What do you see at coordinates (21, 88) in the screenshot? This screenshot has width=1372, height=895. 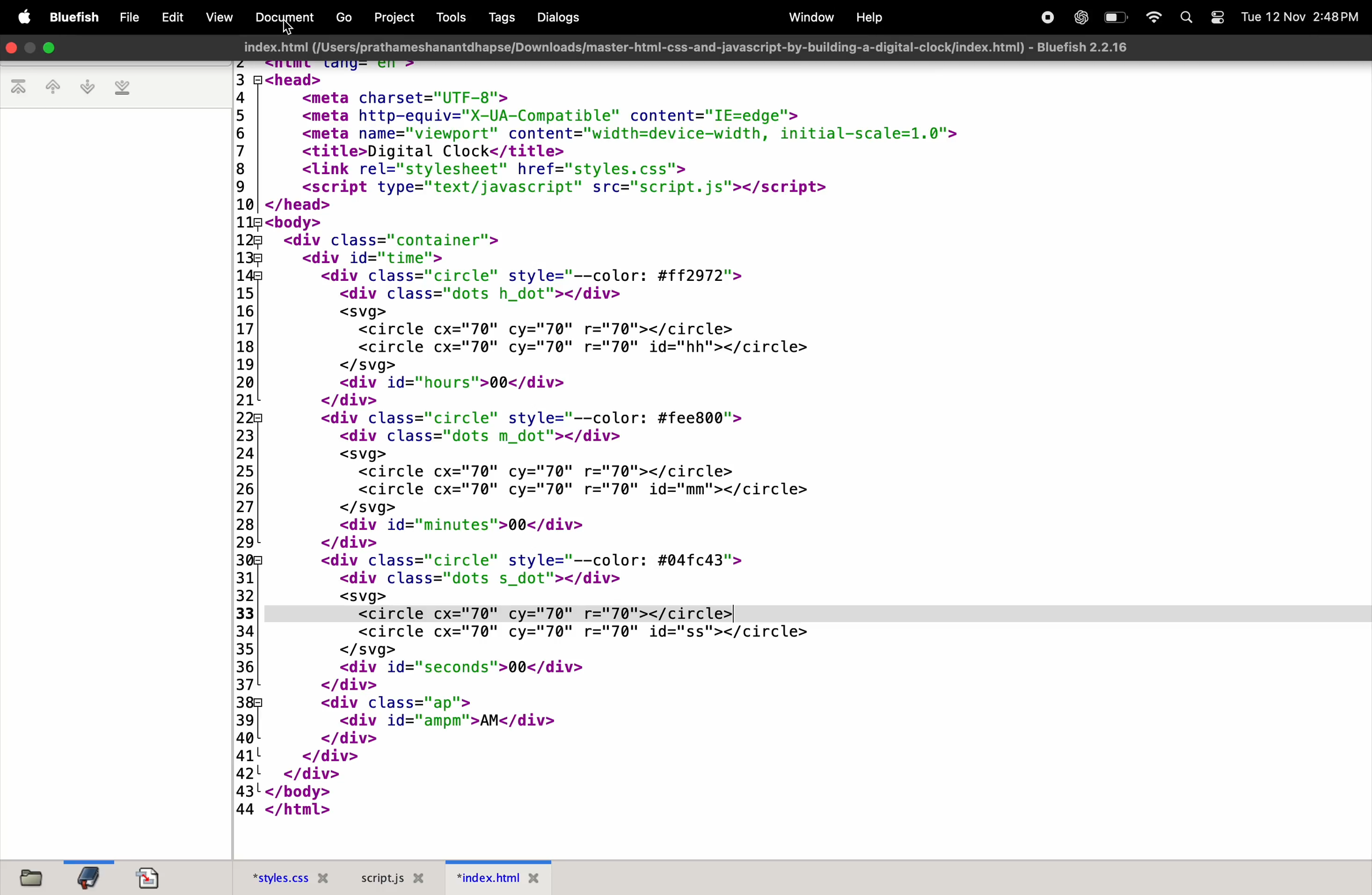 I see `first bookmark` at bounding box center [21, 88].